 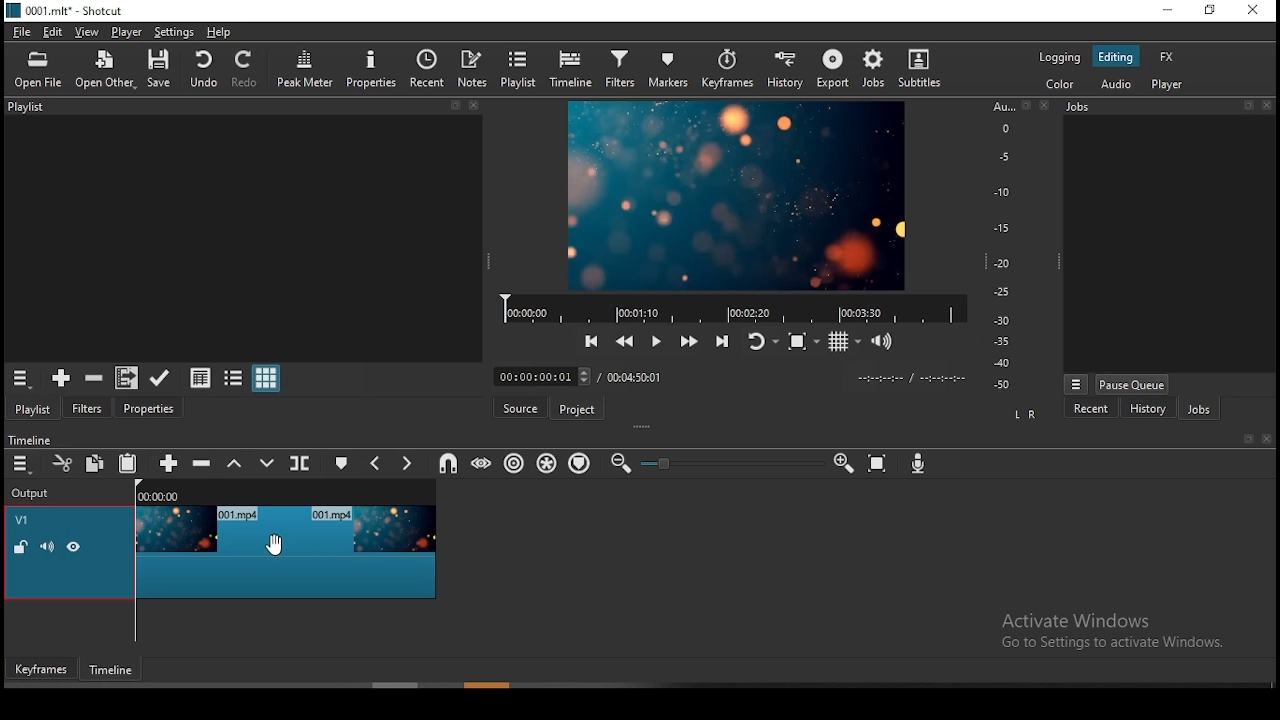 What do you see at coordinates (519, 406) in the screenshot?
I see `source` at bounding box center [519, 406].